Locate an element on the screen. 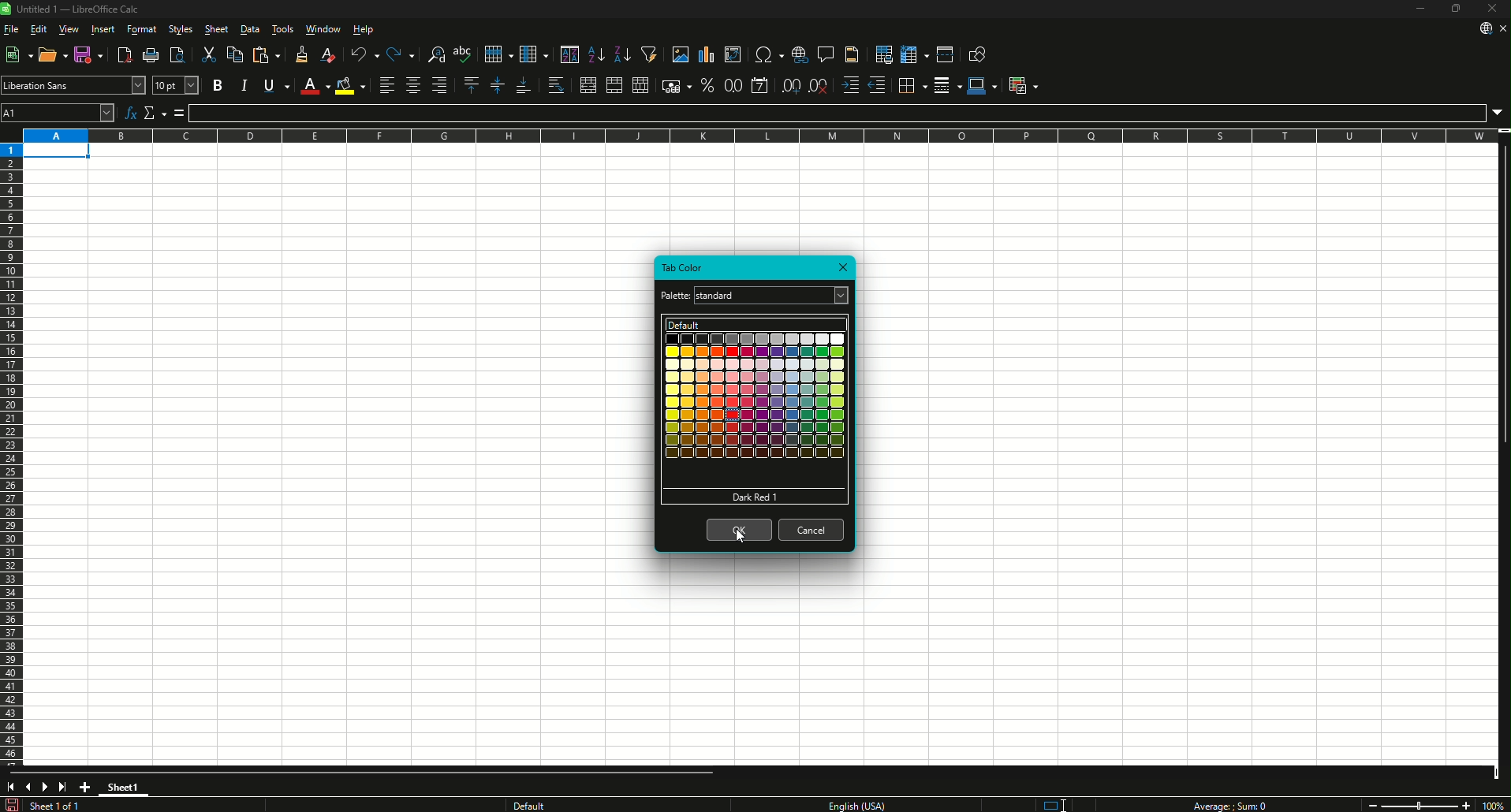 The image size is (1511, 812). Restore is located at coordinates (1456, 8).